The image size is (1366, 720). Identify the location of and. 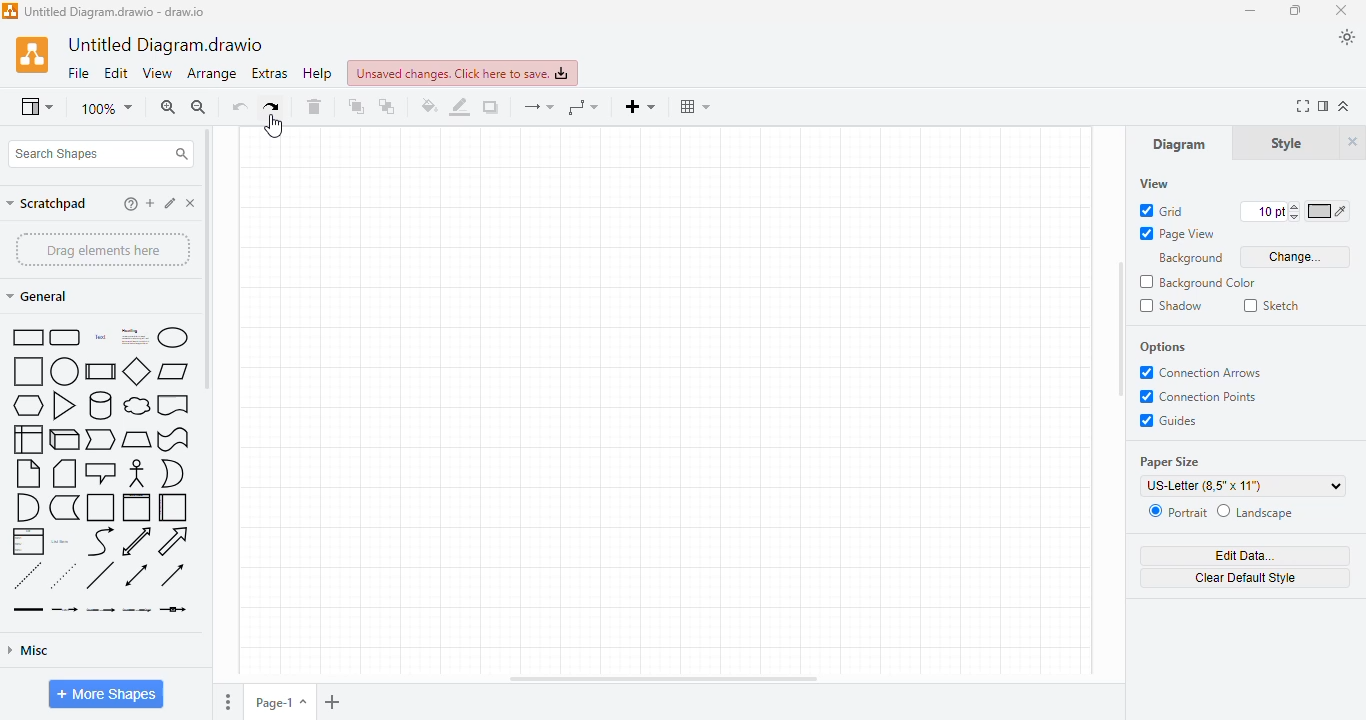
(26, 508).